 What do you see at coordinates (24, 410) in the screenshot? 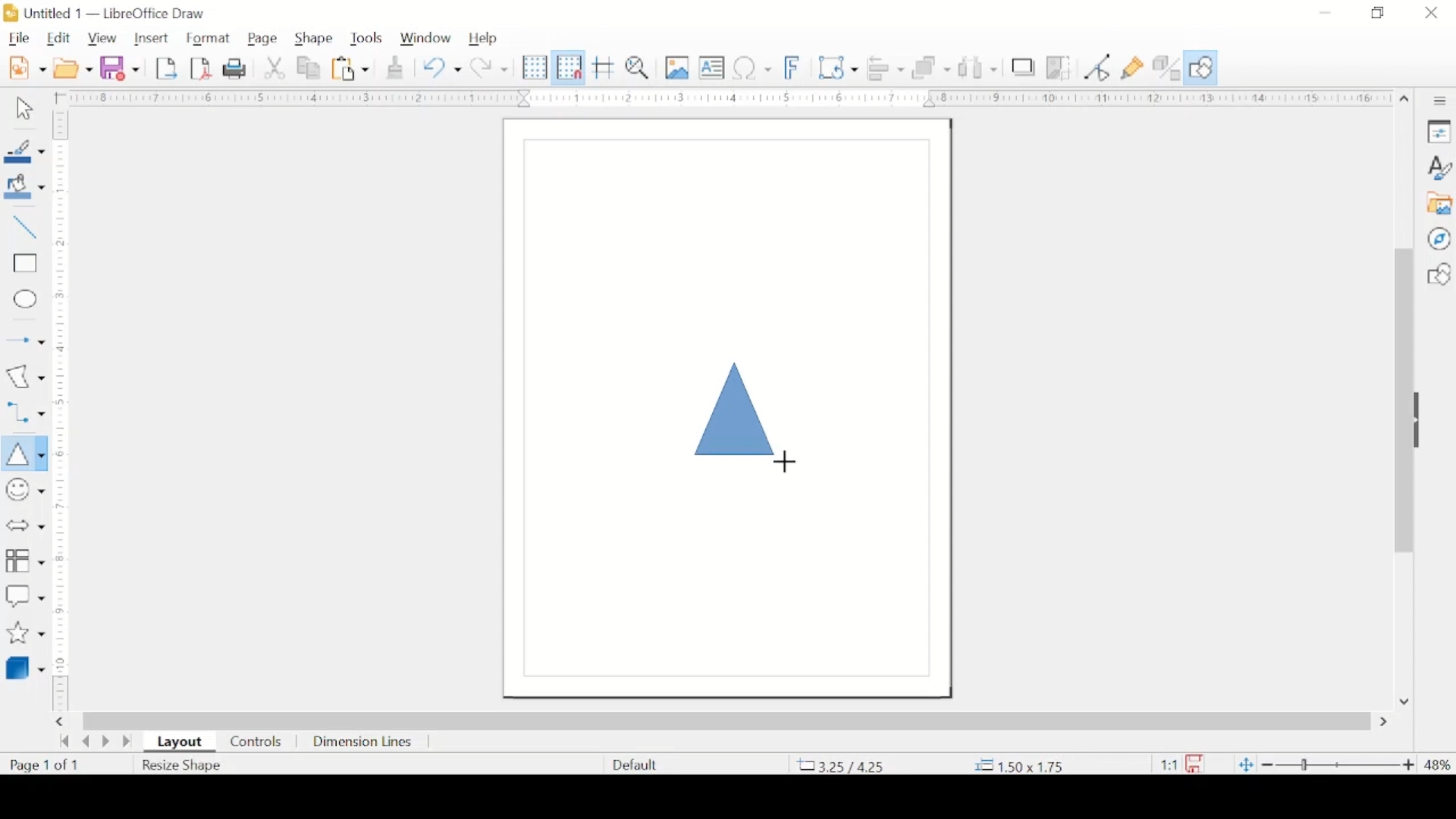
I see `connectors` at bounding box center [24, 410].